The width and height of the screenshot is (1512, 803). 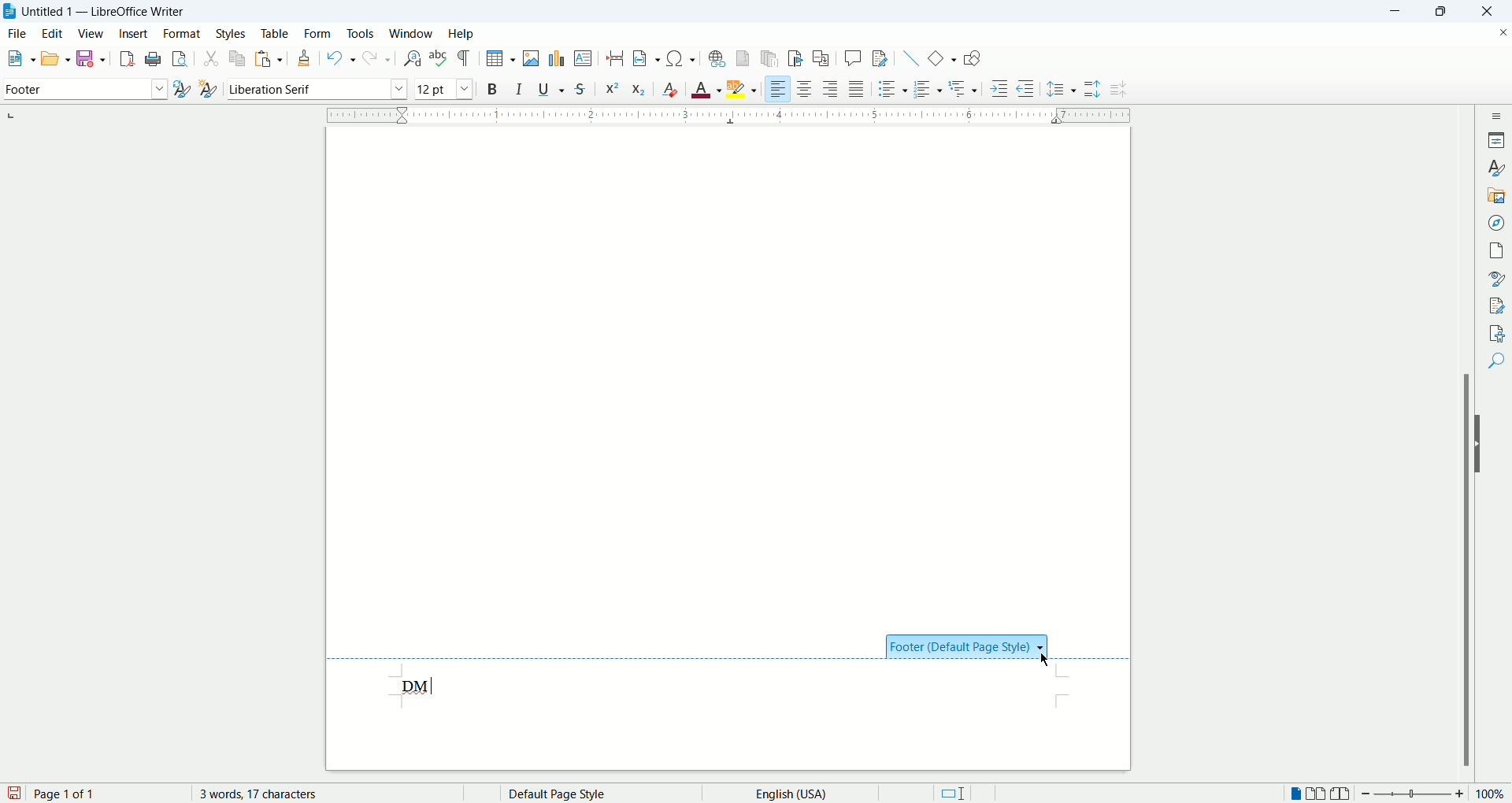 What do you see at coordinates (853, 57) in the screenshot?
I see `insert comment` at bounding box center [853, 57].